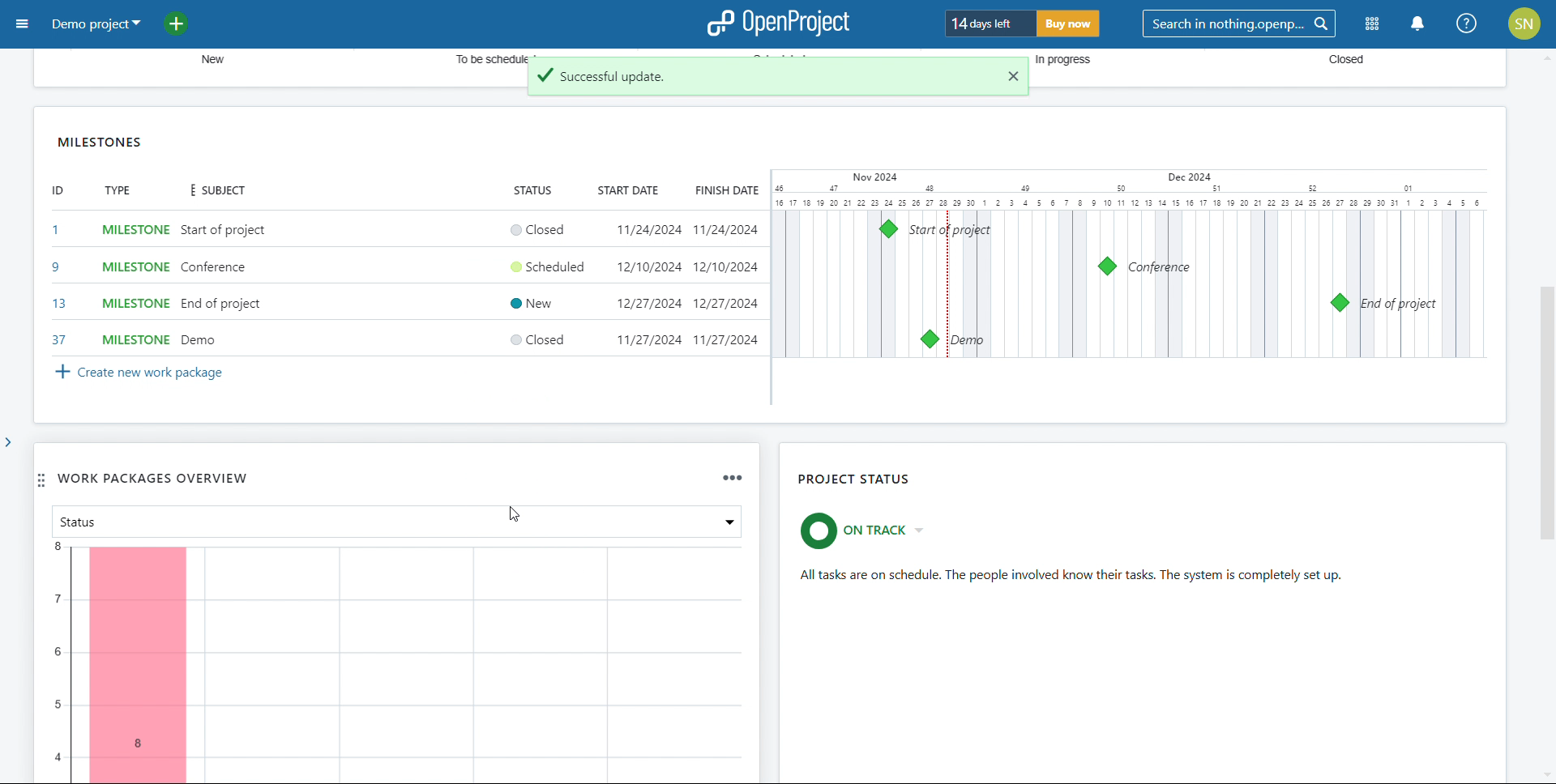 This screenshot has height=784, width=1556. Describe the element at coordinates (56, 191) in the screenshot. I see `id` at that location.